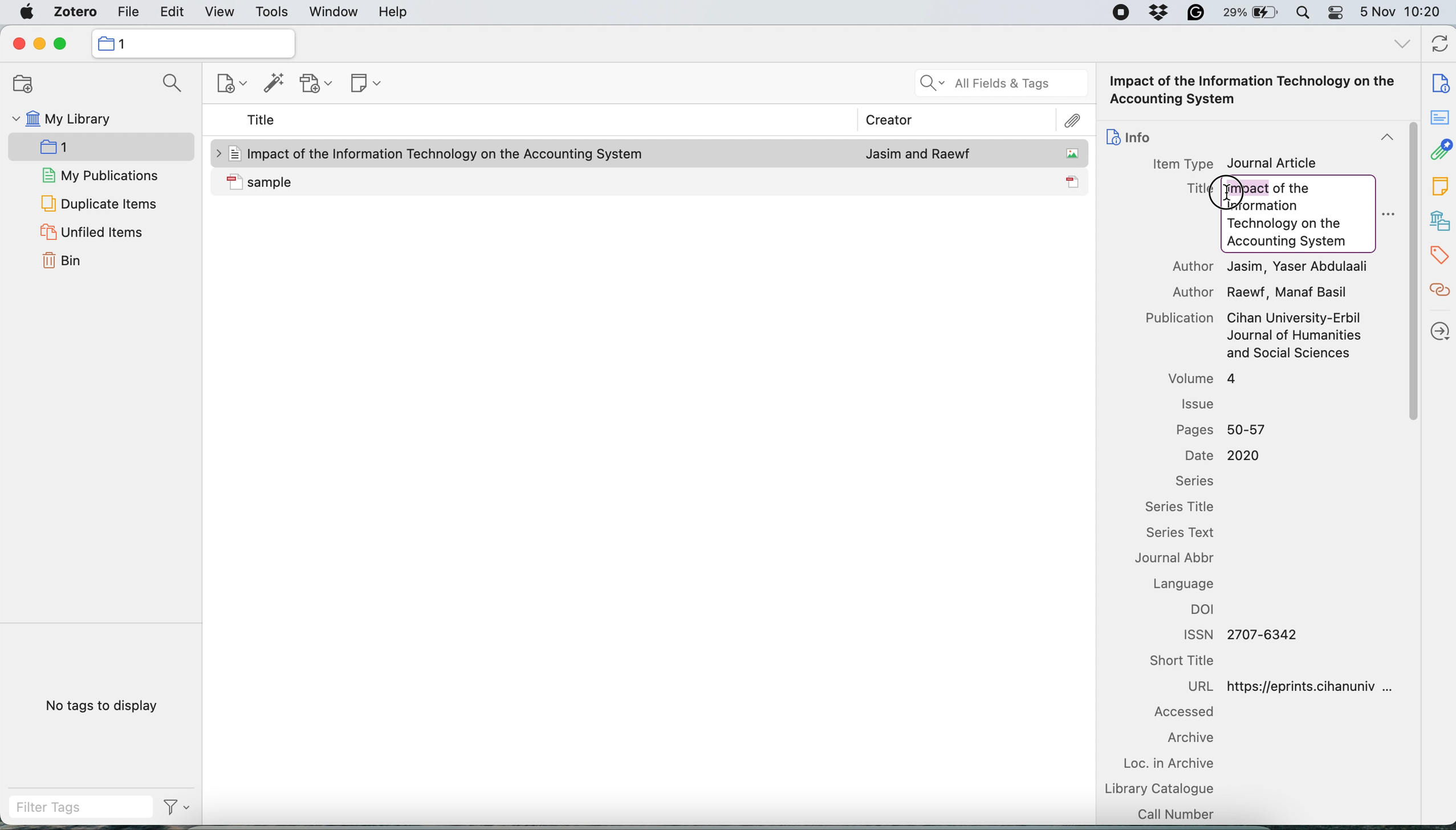 This screenshot has height=830, width=1456. I want to click on archive, so click(1190, 738).